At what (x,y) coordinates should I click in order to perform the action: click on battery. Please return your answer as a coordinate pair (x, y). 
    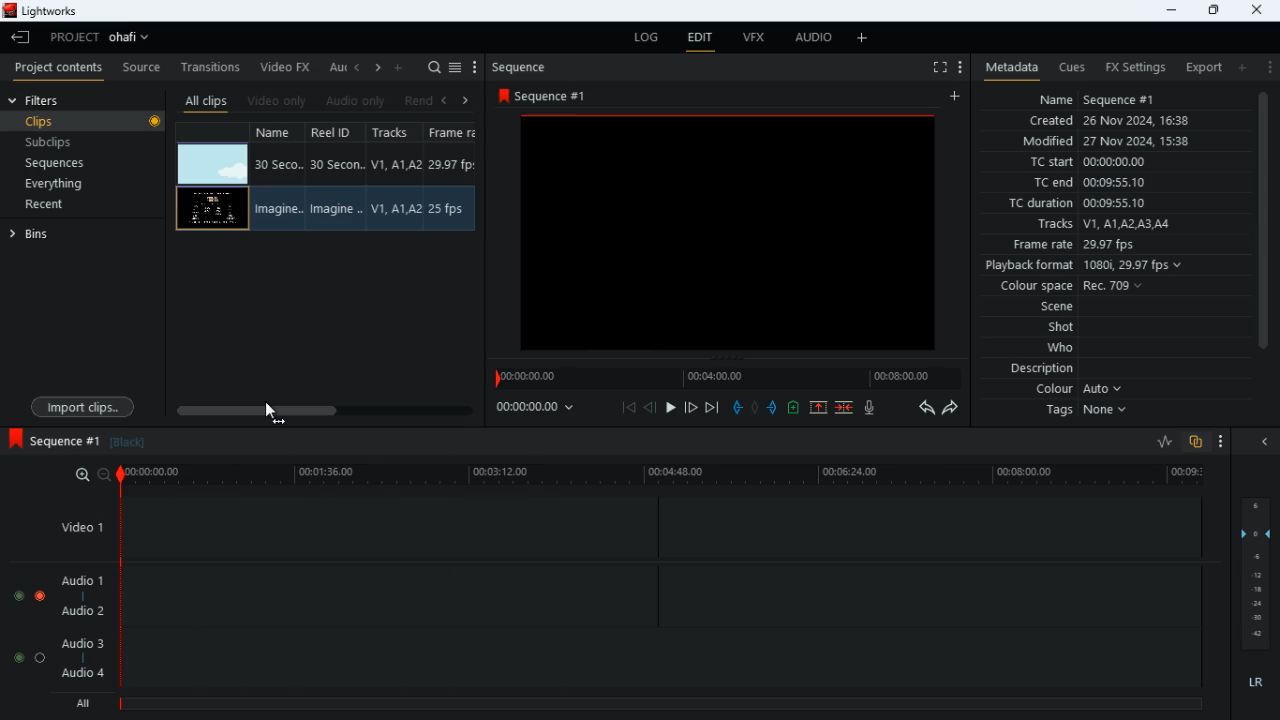
    Looking at the image, I should click on (795, 409).